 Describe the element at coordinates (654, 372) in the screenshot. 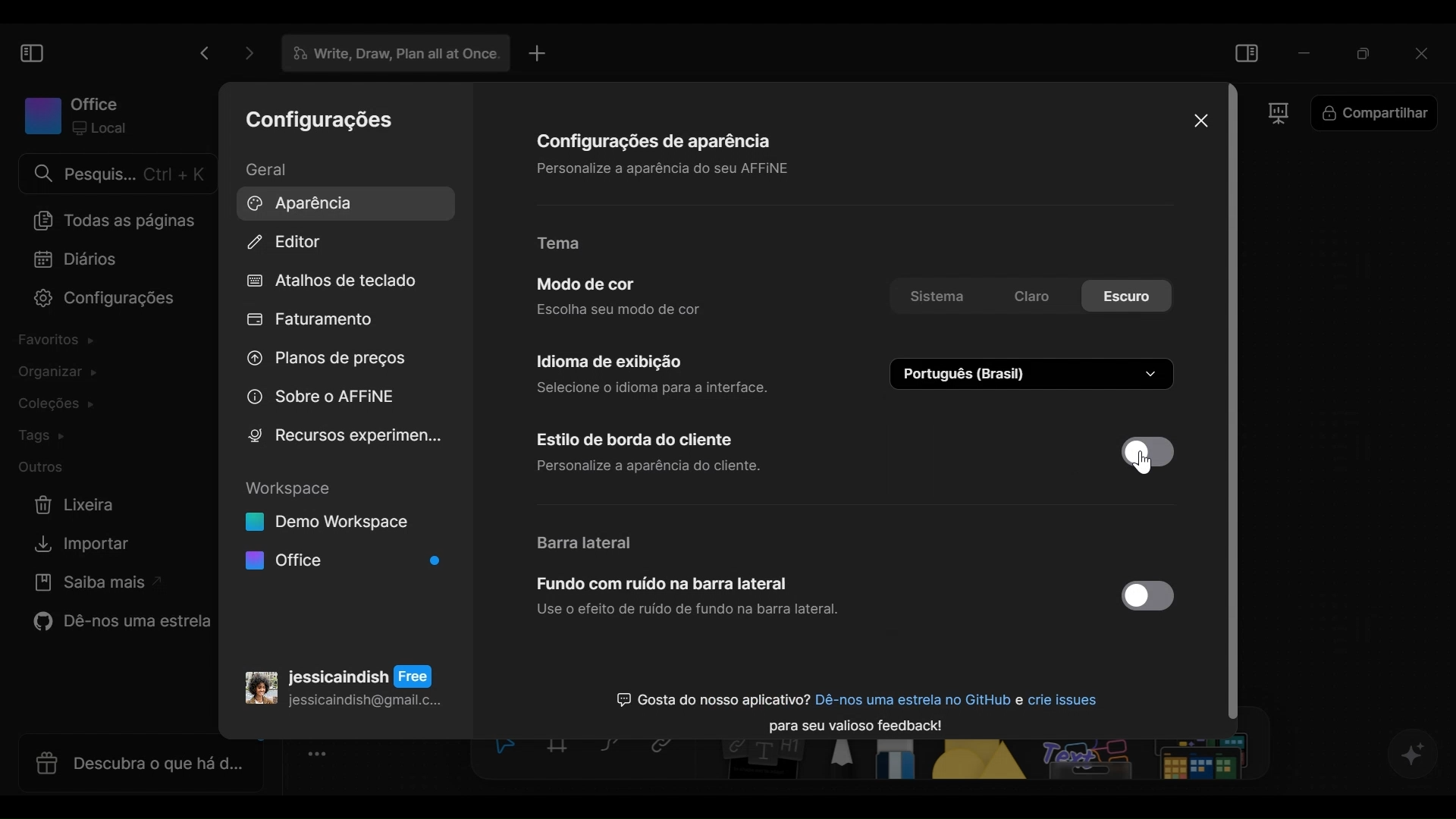

I see `Display settings` at that location.